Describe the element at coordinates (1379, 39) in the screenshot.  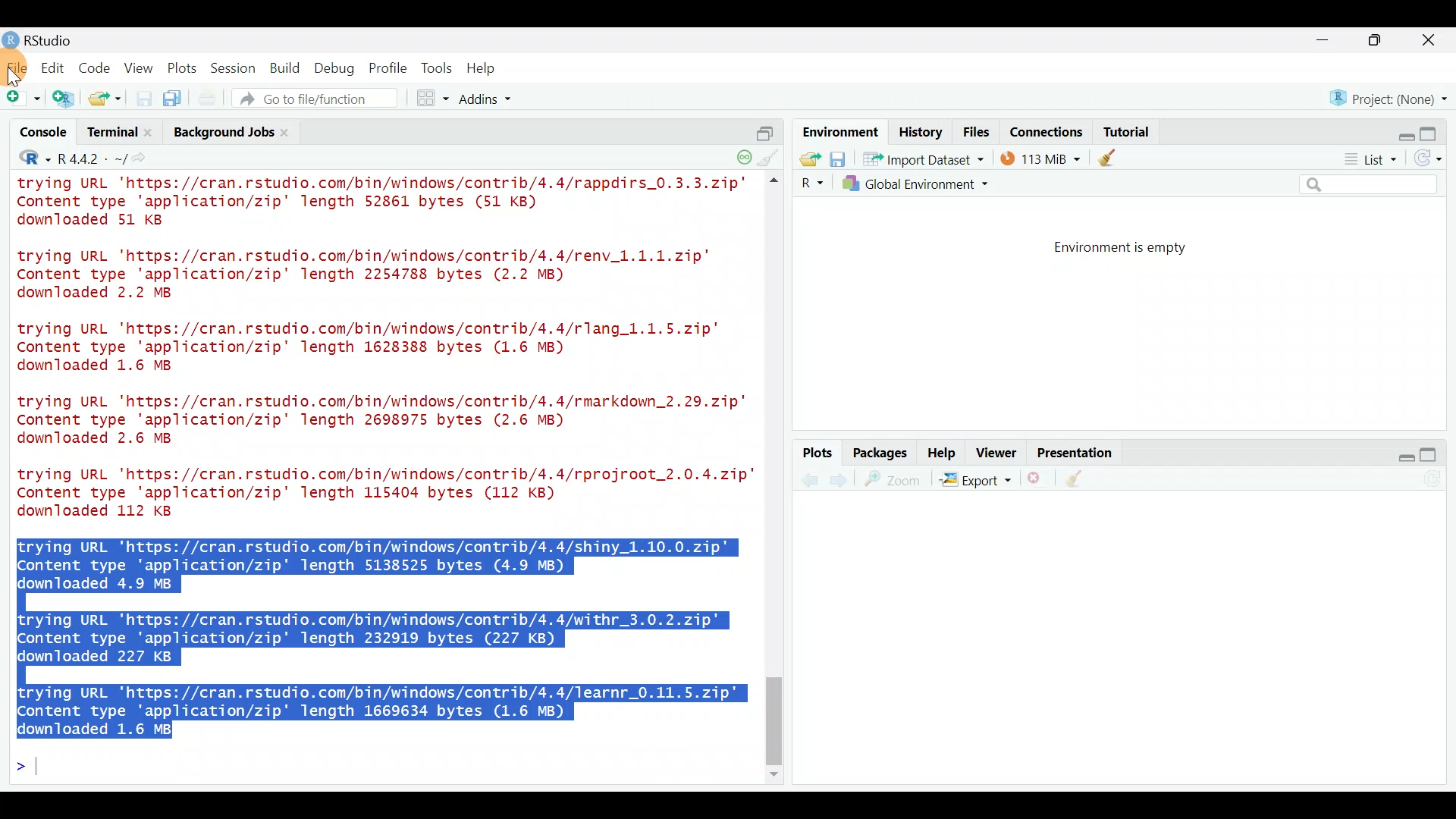
I see `maximize` at that location.